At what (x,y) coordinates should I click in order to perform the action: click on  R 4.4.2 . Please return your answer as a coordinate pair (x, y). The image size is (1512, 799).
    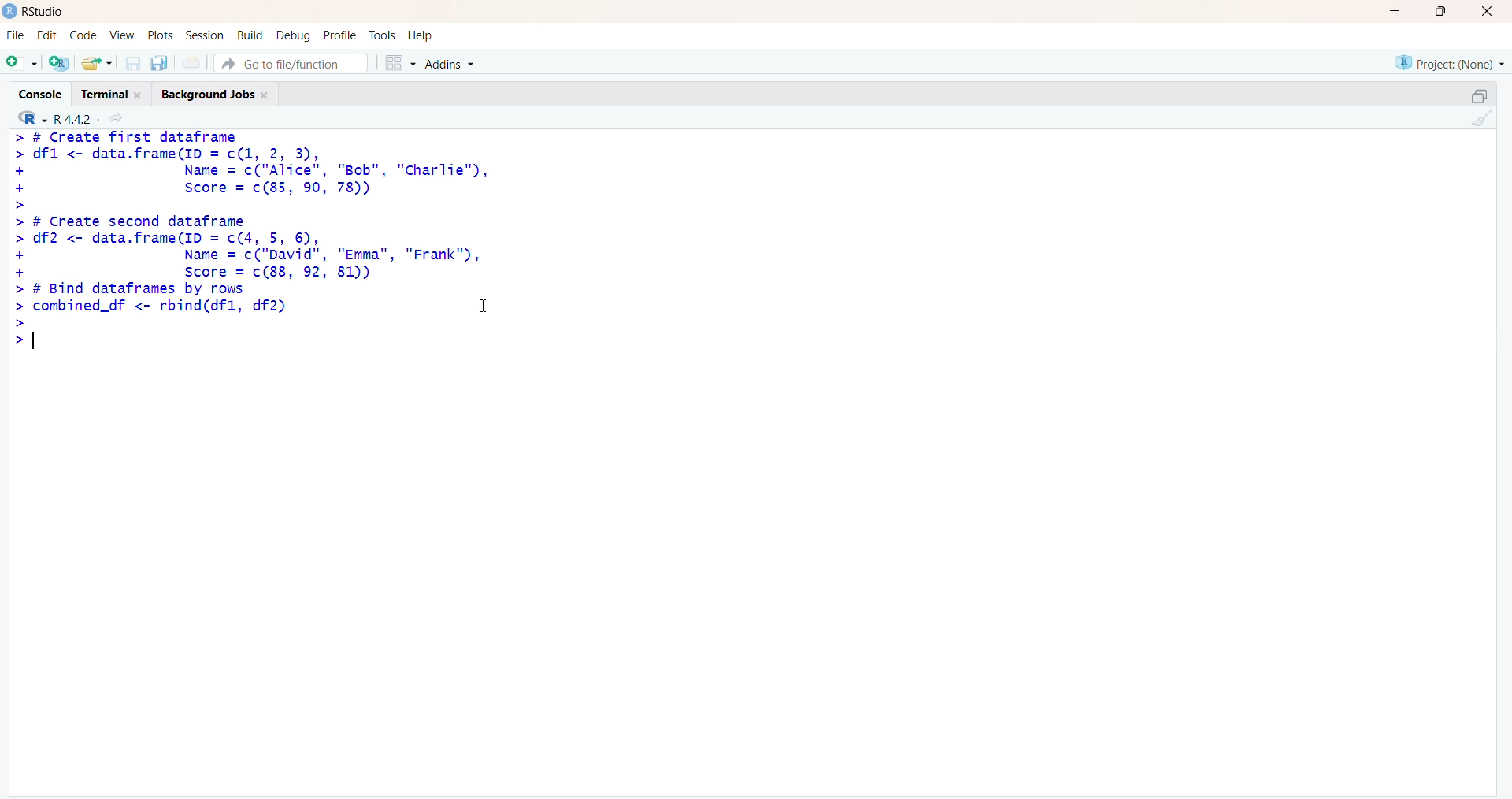
    Looking at the image, I should click on (57, 117).